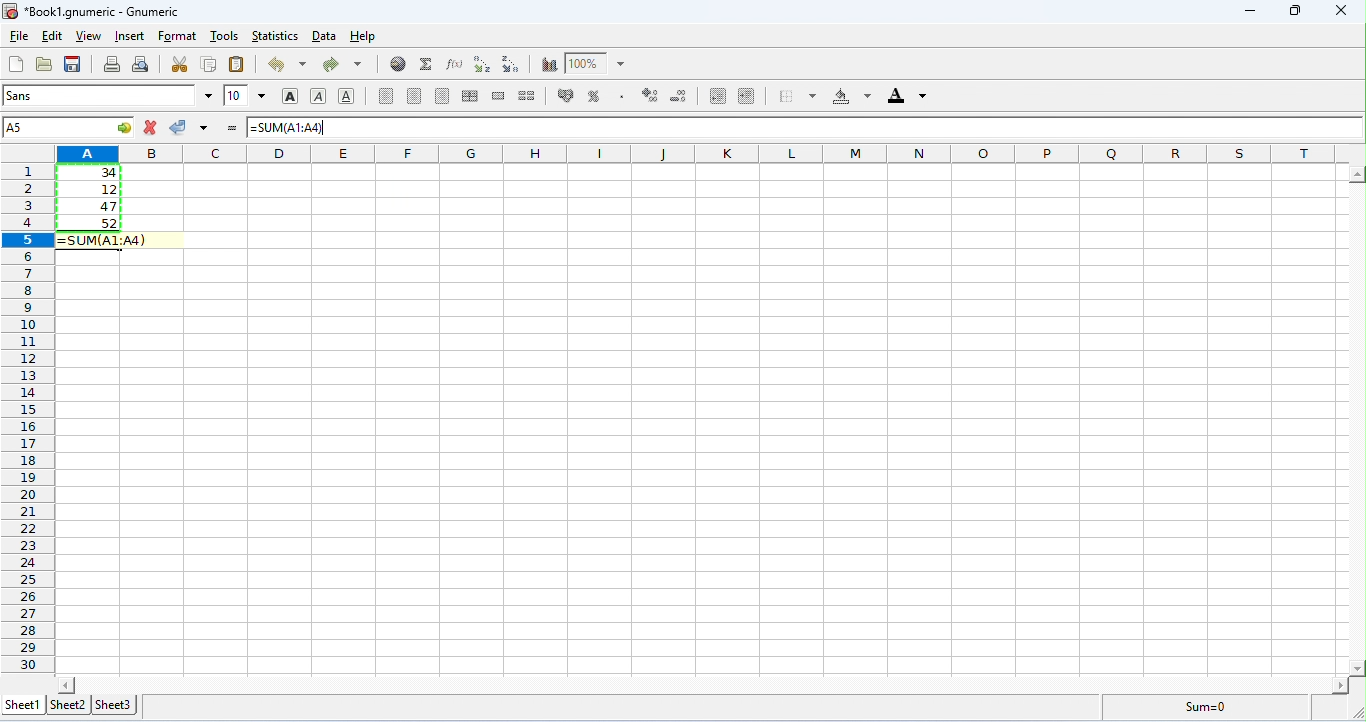 This screenshot has width=1366, height=722. I want to click on decrease decimal, so click(650, 95).